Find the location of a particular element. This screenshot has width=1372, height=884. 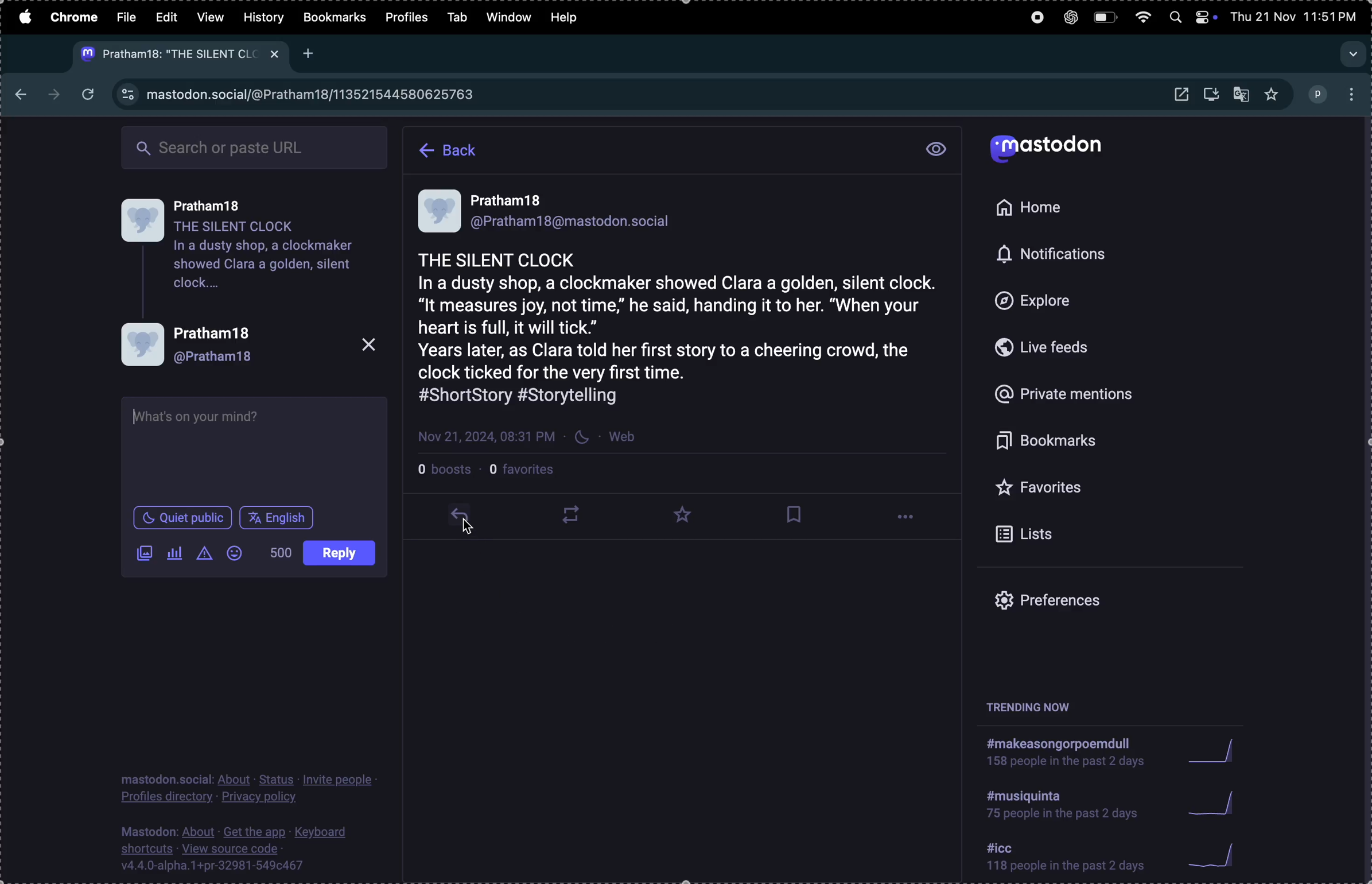

apple menu is located at coordinates (24, 17).